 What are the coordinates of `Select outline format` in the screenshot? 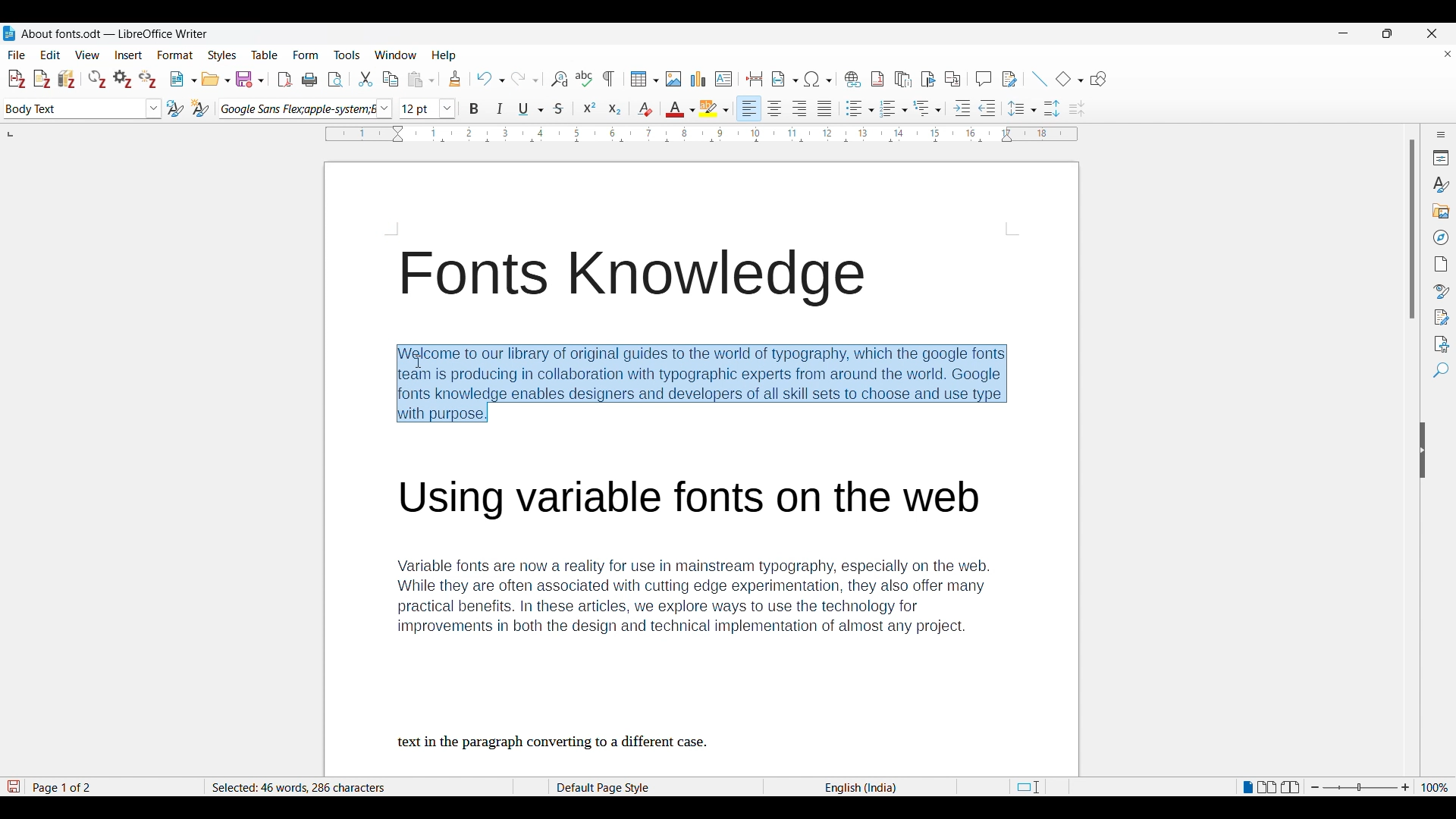 It's located at (927, 108).